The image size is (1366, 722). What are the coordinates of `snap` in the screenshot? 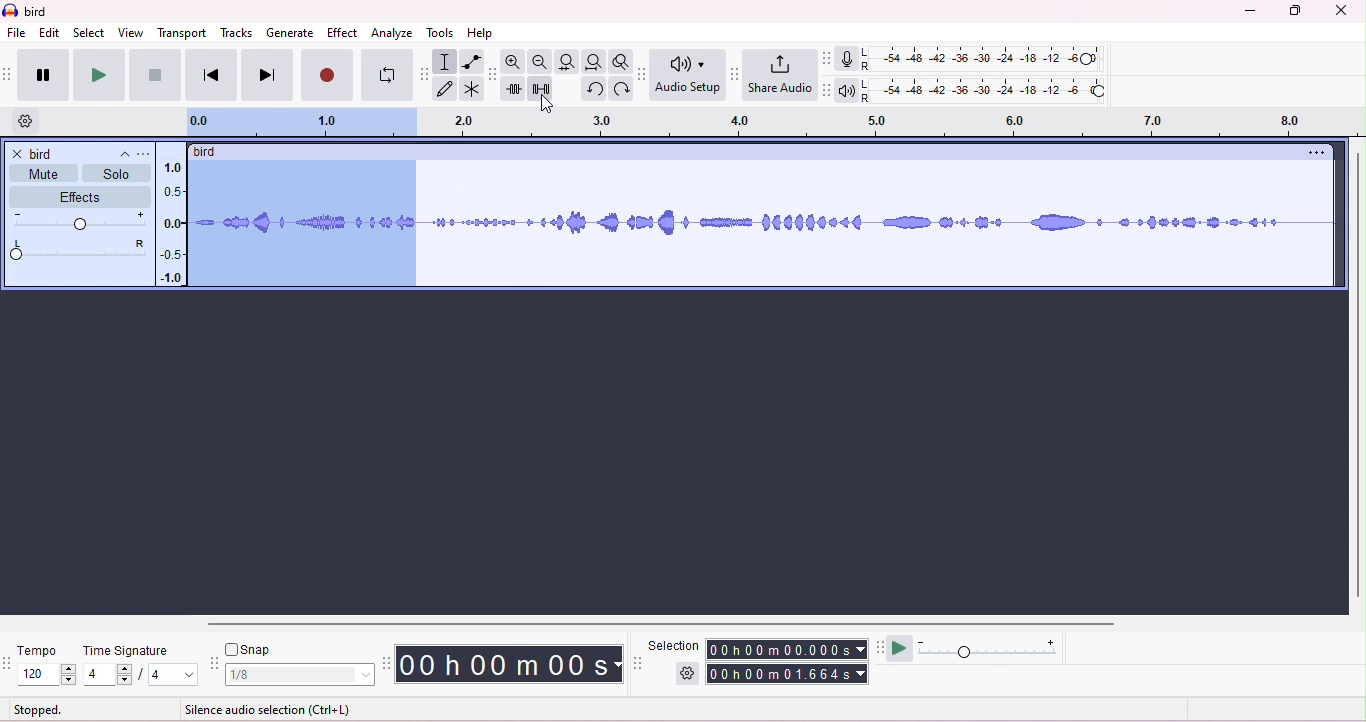 It's located at (249, 648).